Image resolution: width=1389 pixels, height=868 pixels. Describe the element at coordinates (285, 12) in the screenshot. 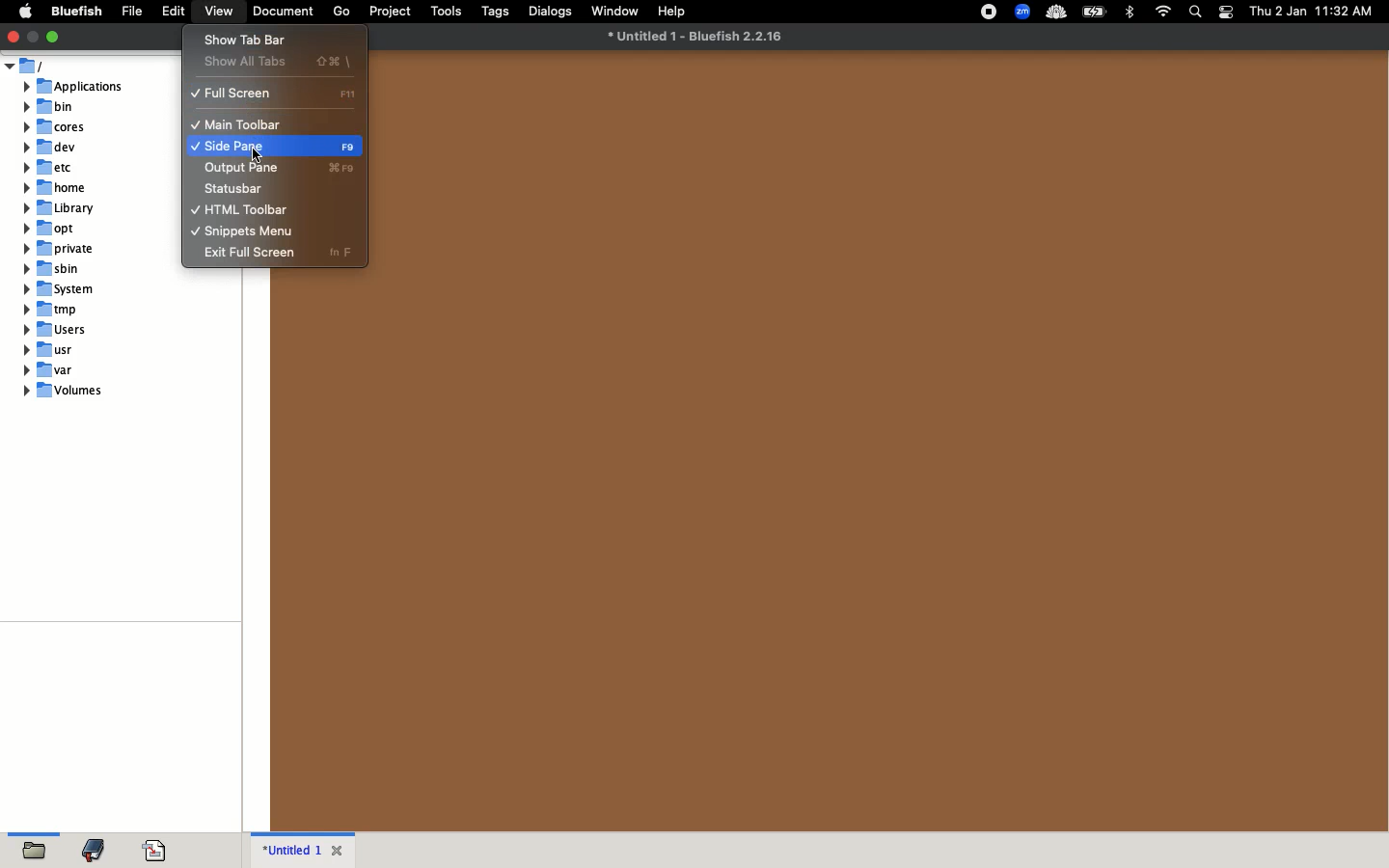

I see `document` at that location.